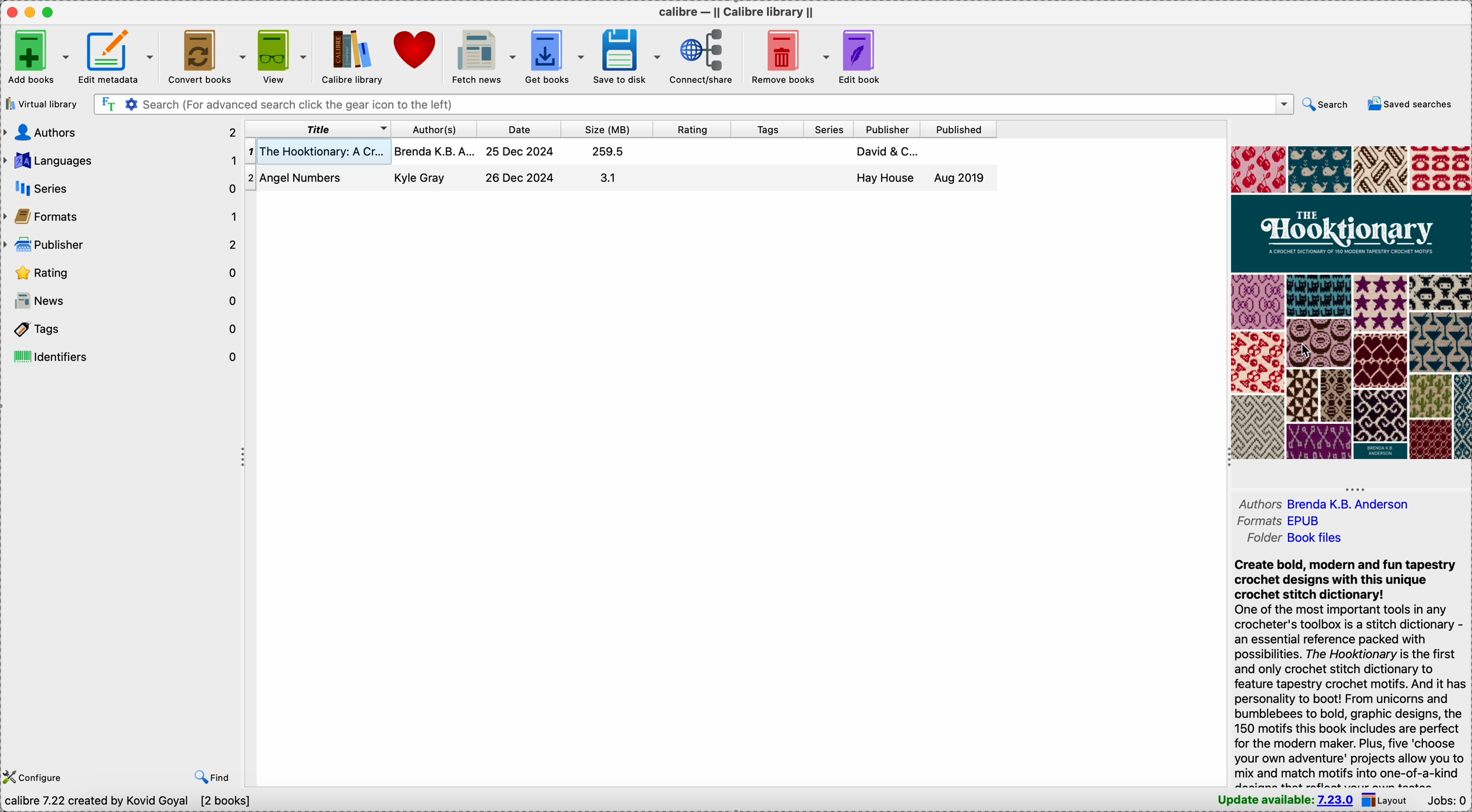  I want to click on series, so click(826, 129).